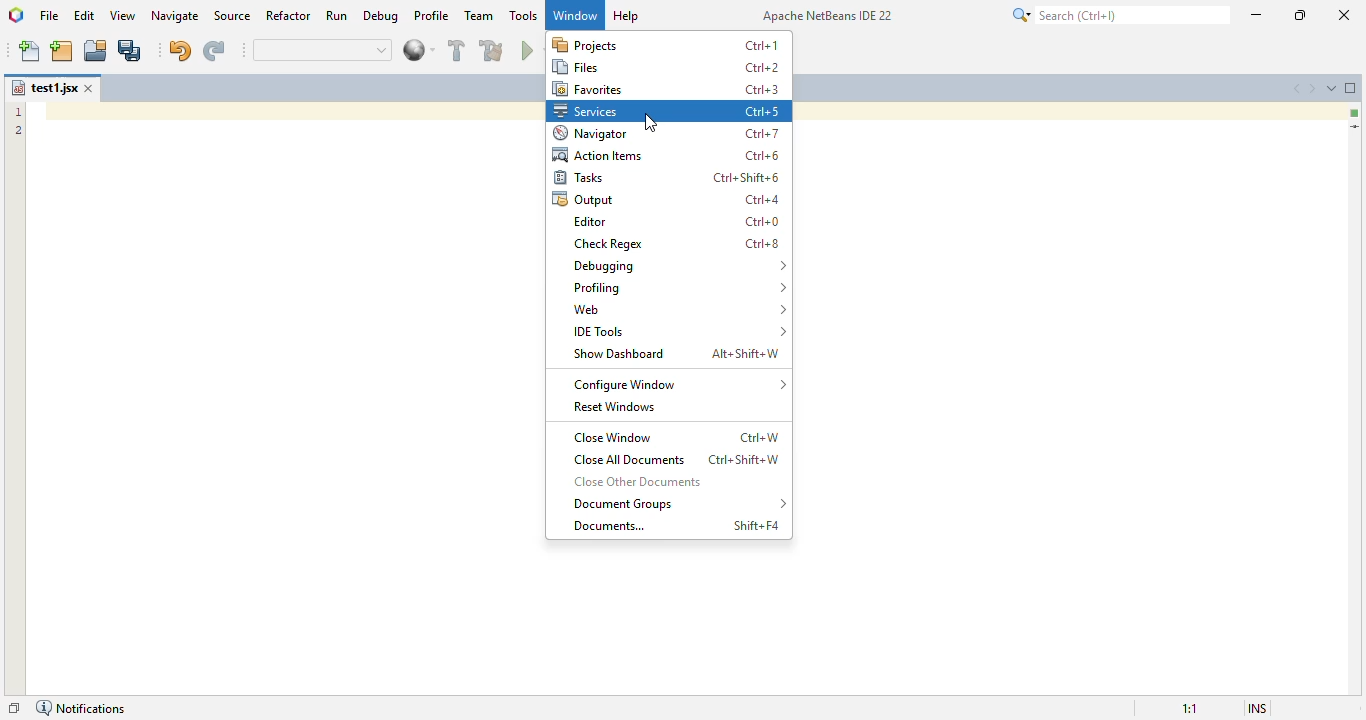  What do you see at coordinates (593, 134) in the screenshot?
I see `navigator` at bounding box center [593, 134].